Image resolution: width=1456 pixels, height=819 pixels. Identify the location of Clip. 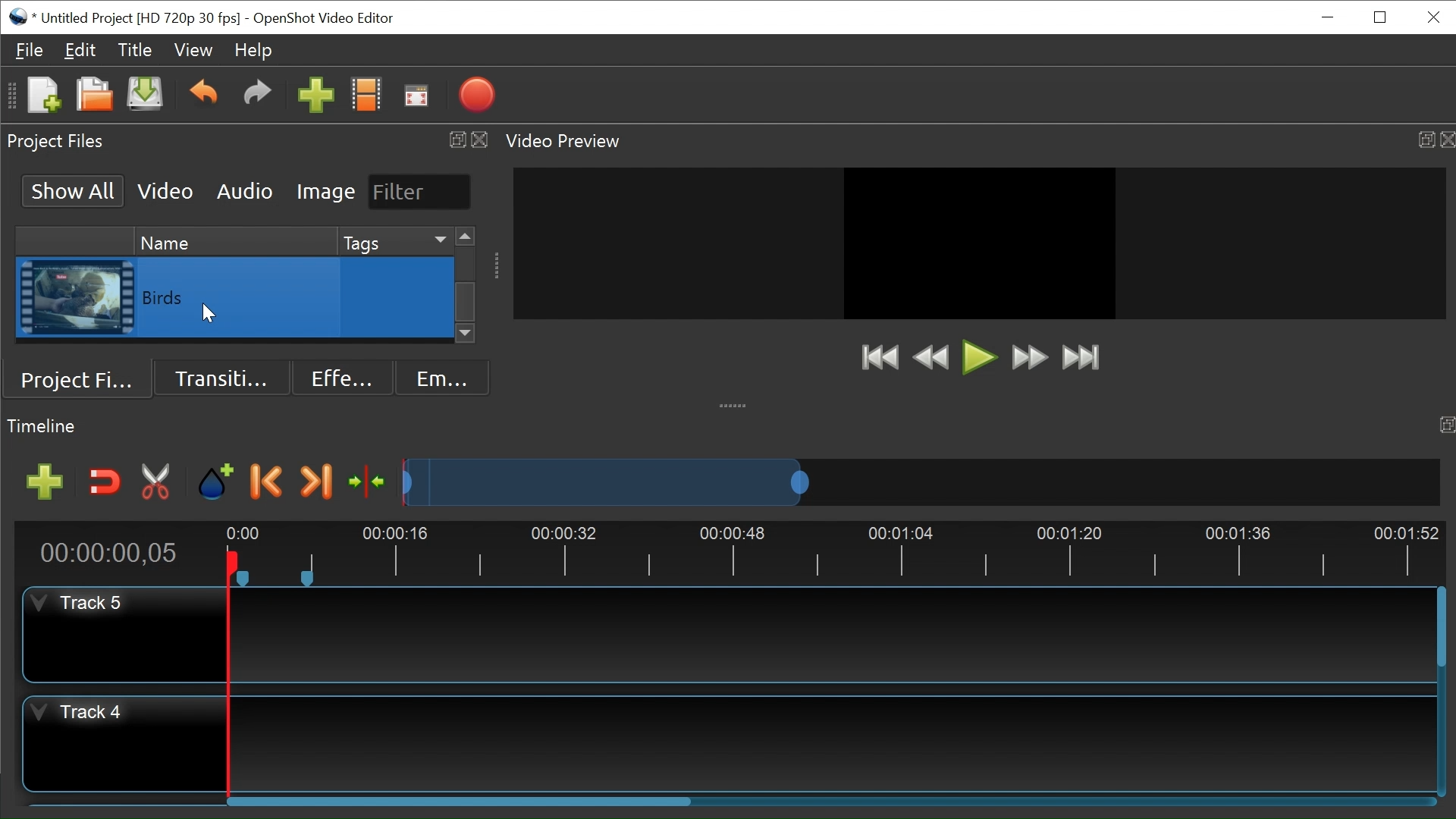
(77, 298).